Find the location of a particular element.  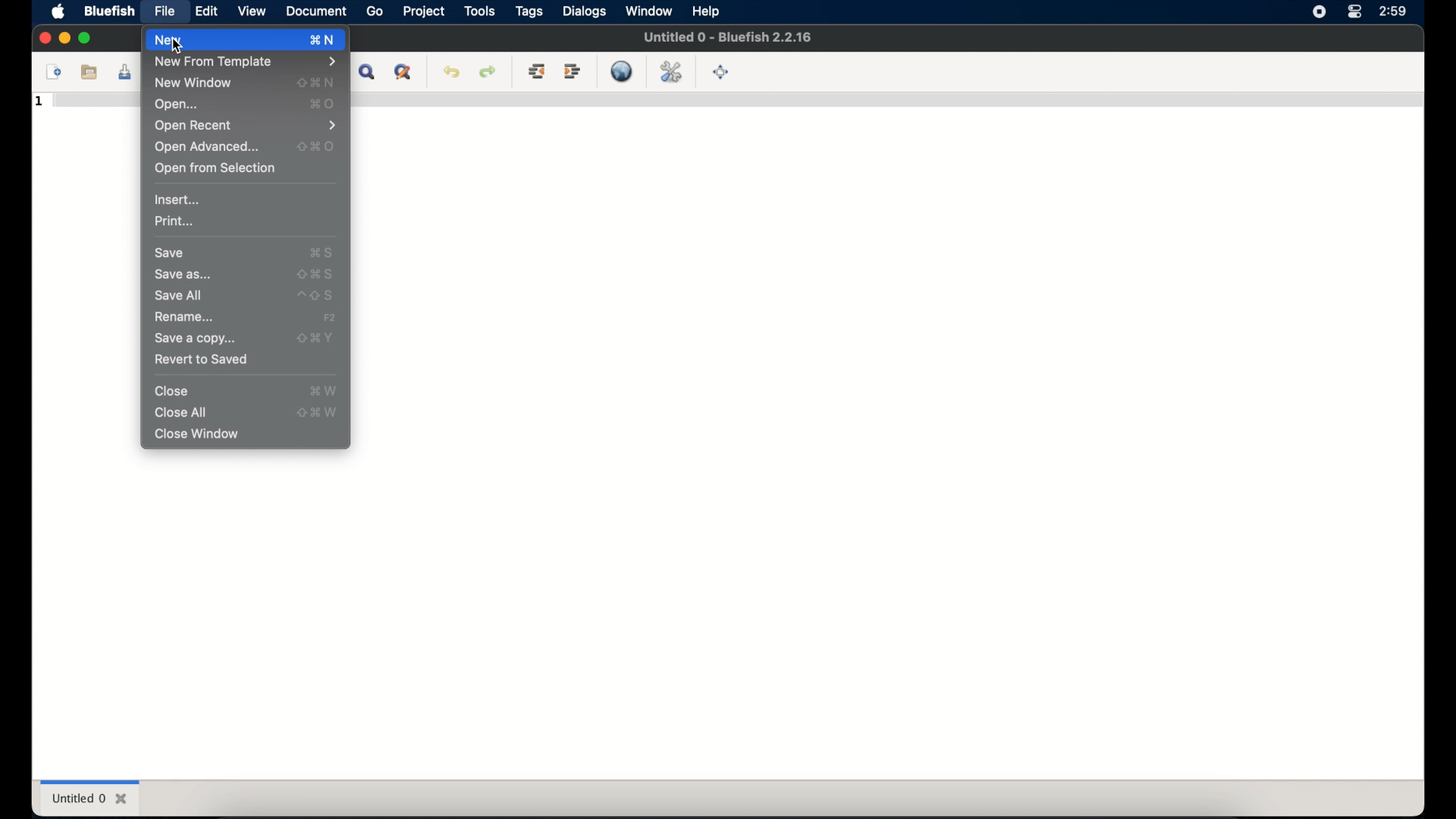

untitled 0 - bluefish 2.2.16 is located at coordinates (727, 37).